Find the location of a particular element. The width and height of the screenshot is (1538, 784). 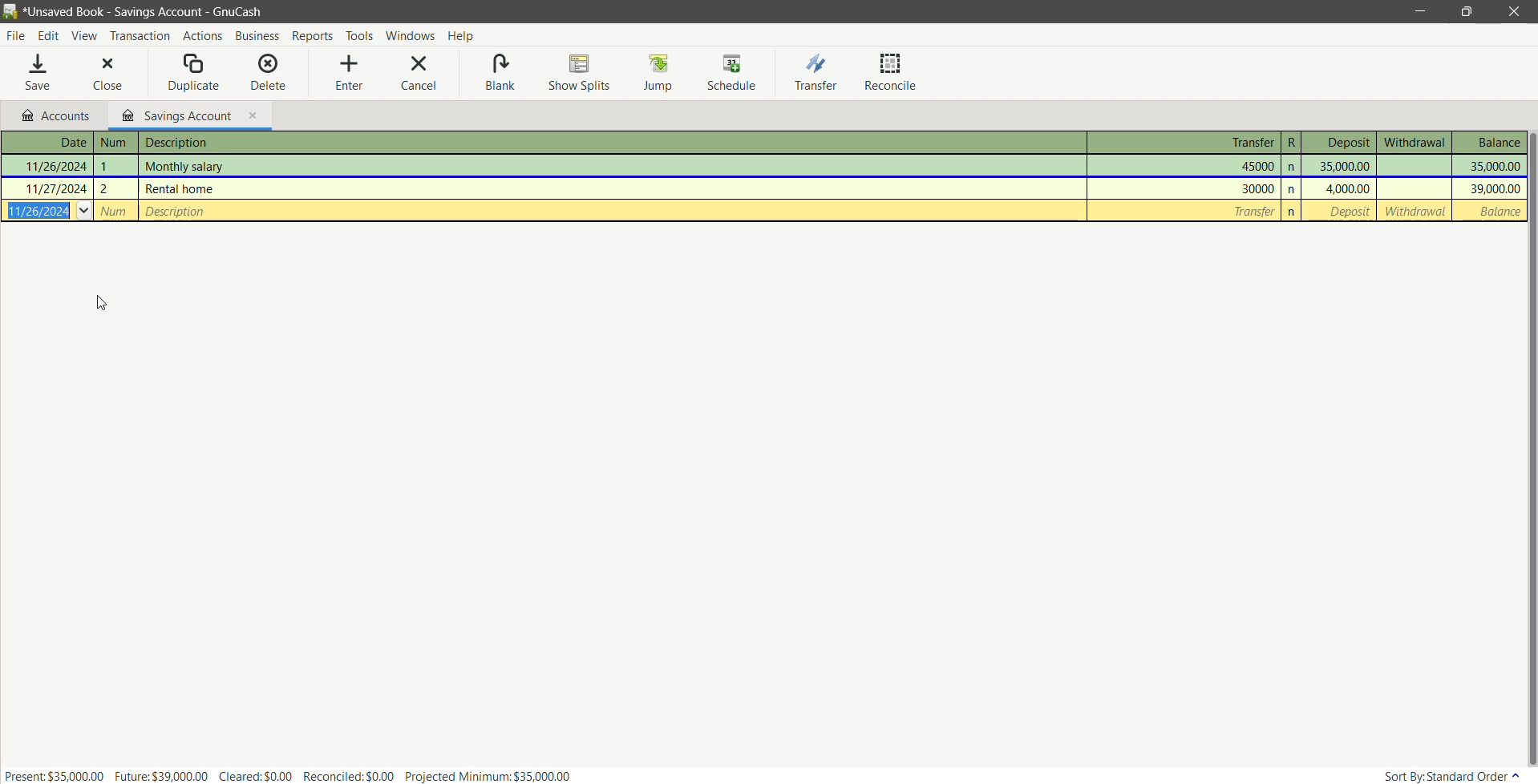

Enter is located at coordinates (350, 71).